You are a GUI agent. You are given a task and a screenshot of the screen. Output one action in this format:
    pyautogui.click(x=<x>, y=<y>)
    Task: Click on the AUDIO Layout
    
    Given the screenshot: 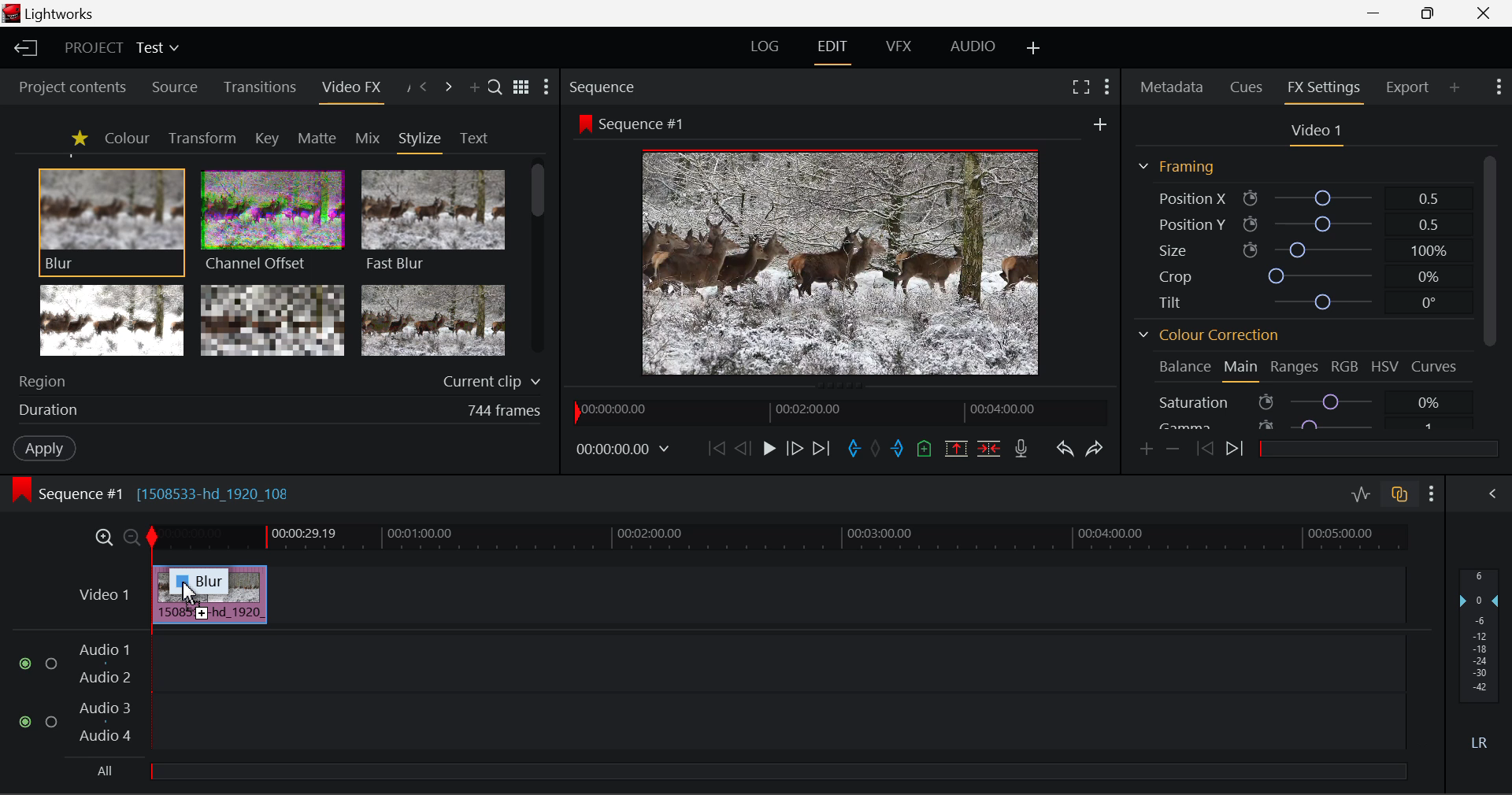 What is the action you would take?
    pyautogui.click(x=972, y=47)
    